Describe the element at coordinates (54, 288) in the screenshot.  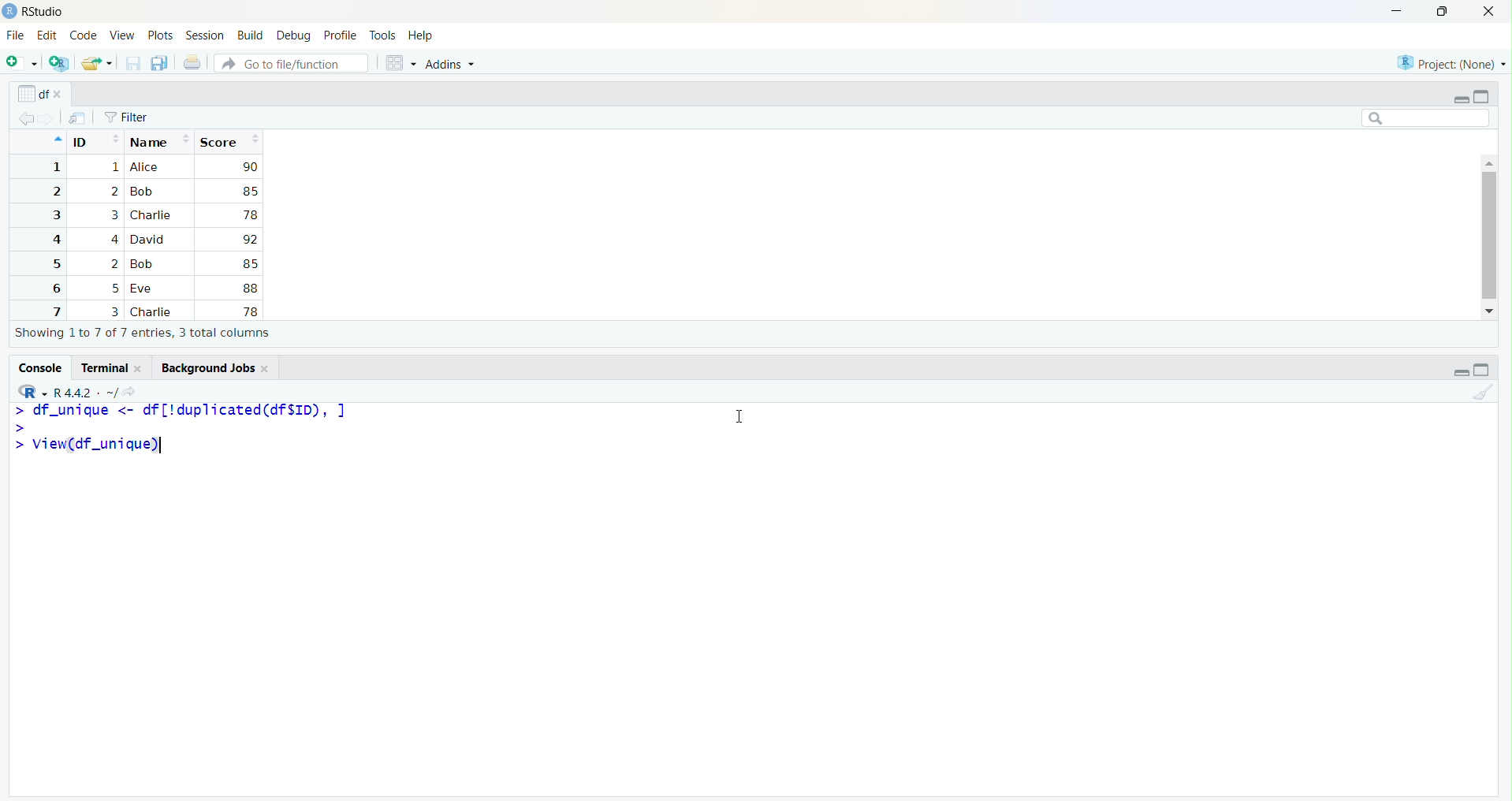
I see `6` at that location.